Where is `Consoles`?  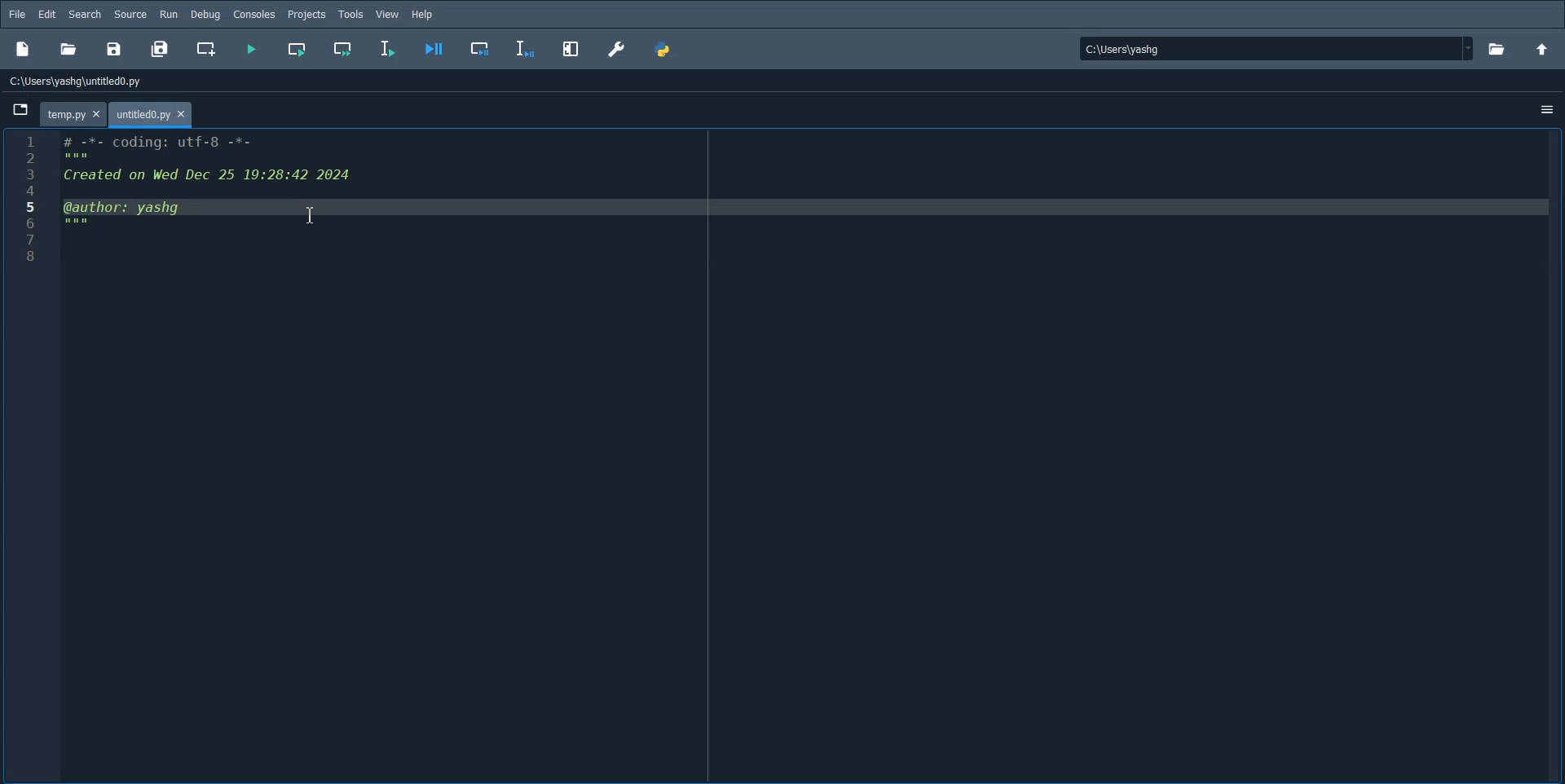
Consoles is located at coordinates (256, 14).